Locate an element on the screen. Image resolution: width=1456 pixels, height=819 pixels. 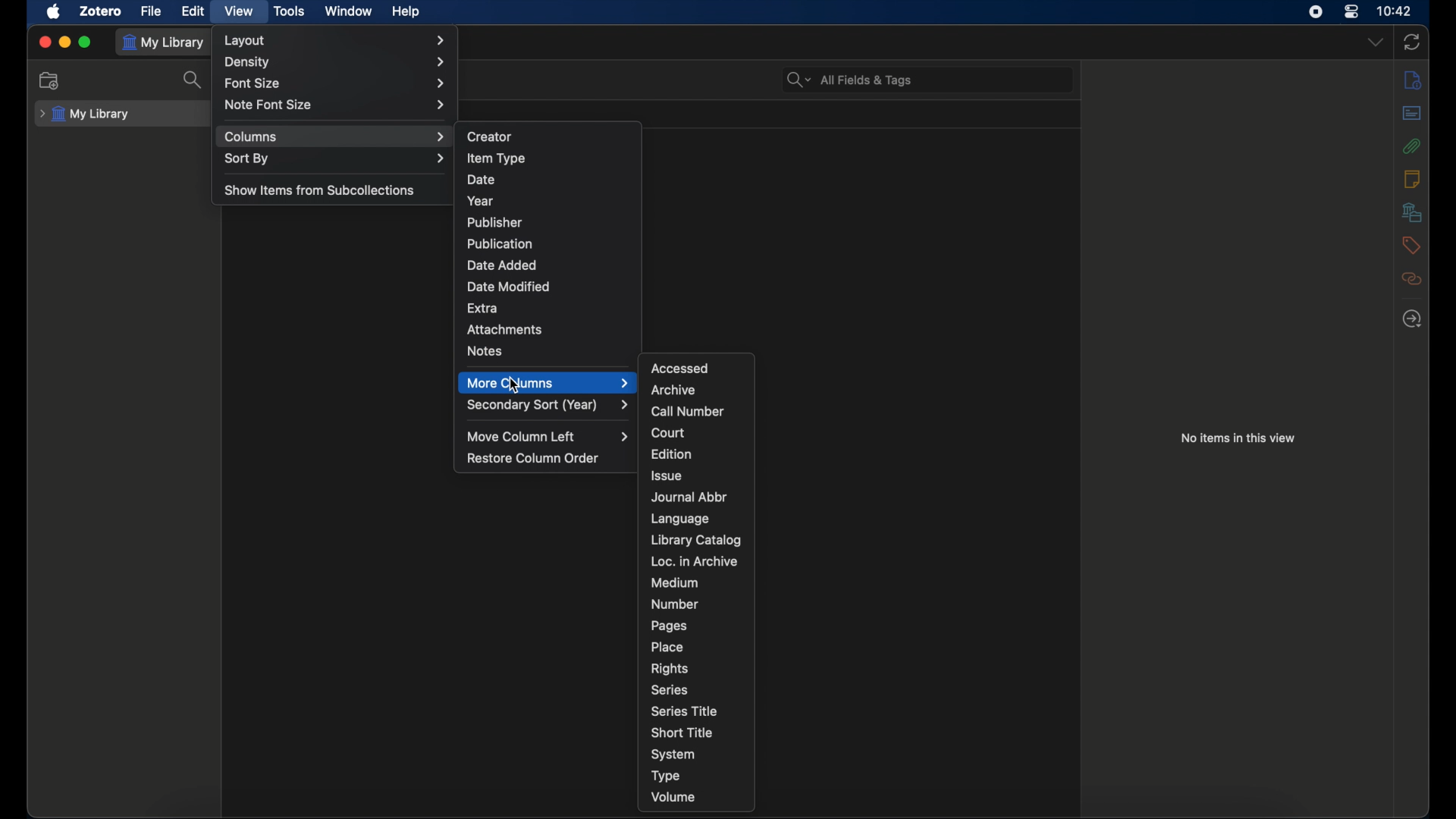
edition is located at coordinates (673, 453).